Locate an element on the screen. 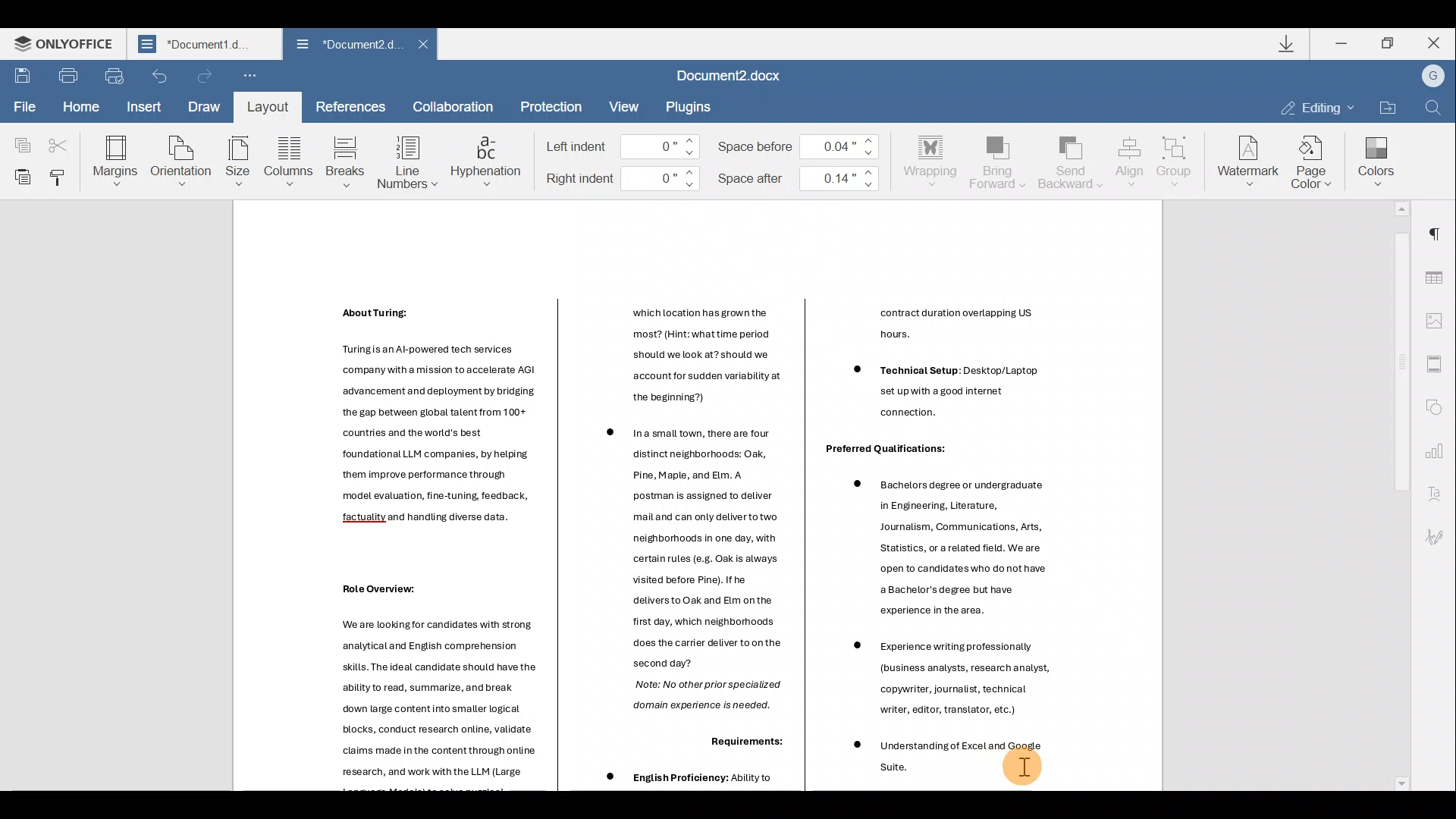  Text Art settings is located at coordinates (1437, 495).